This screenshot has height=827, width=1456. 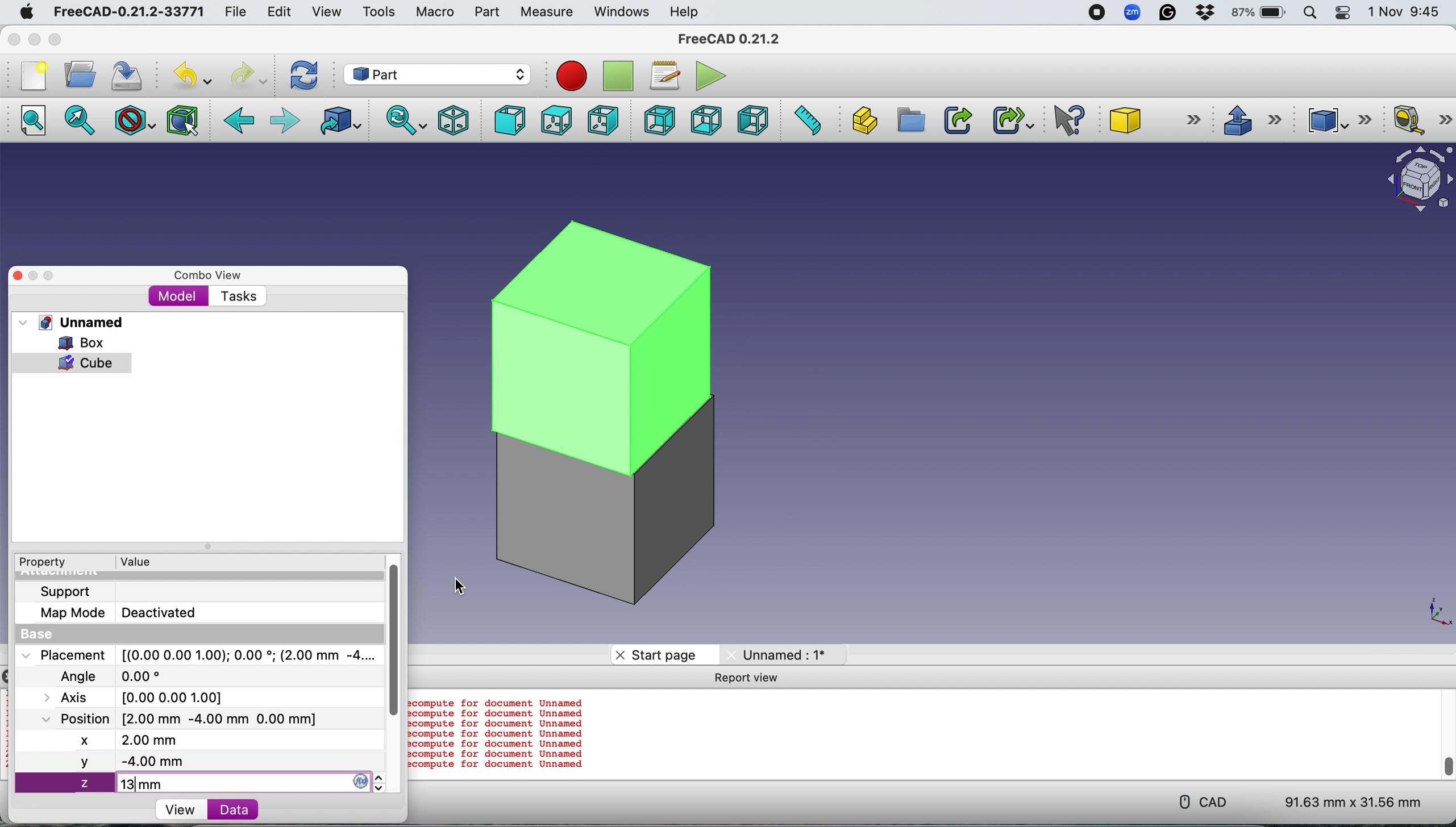 I want to click on File, so click(x=232, y=12).